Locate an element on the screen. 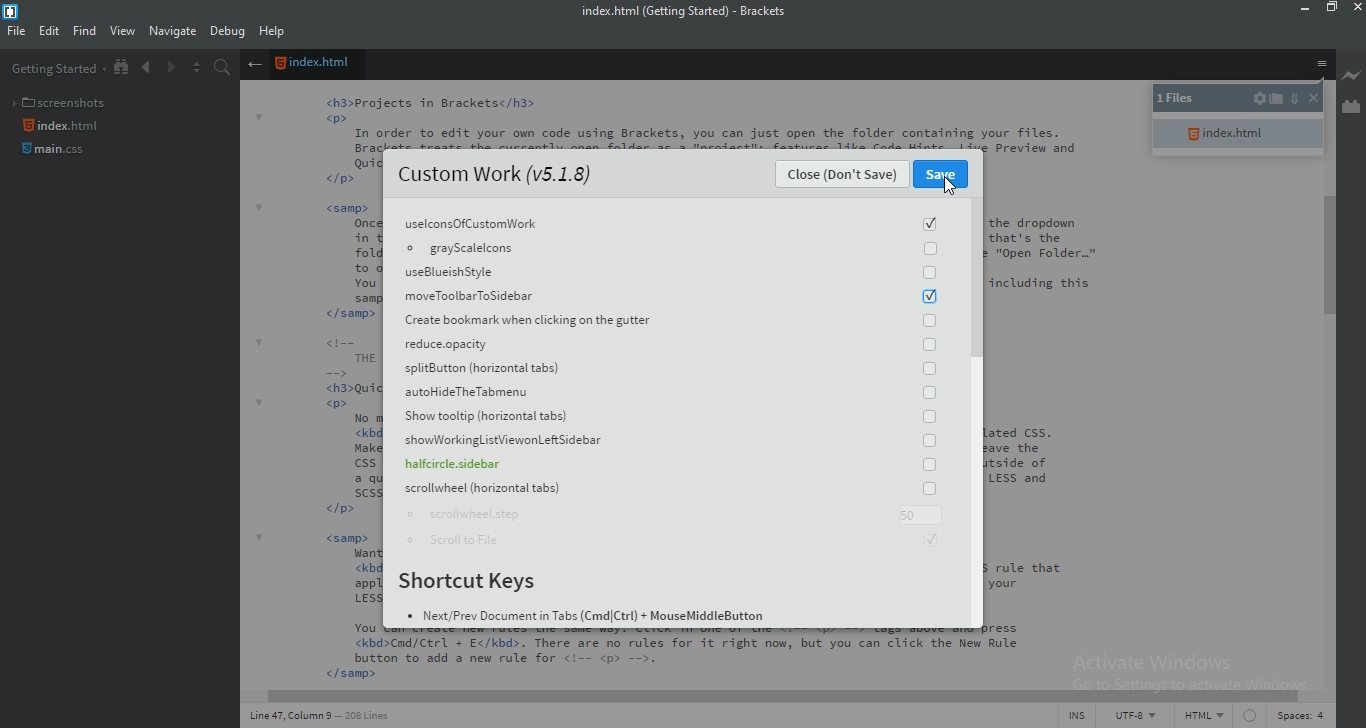  close menu is located at coordinates (254, 65).